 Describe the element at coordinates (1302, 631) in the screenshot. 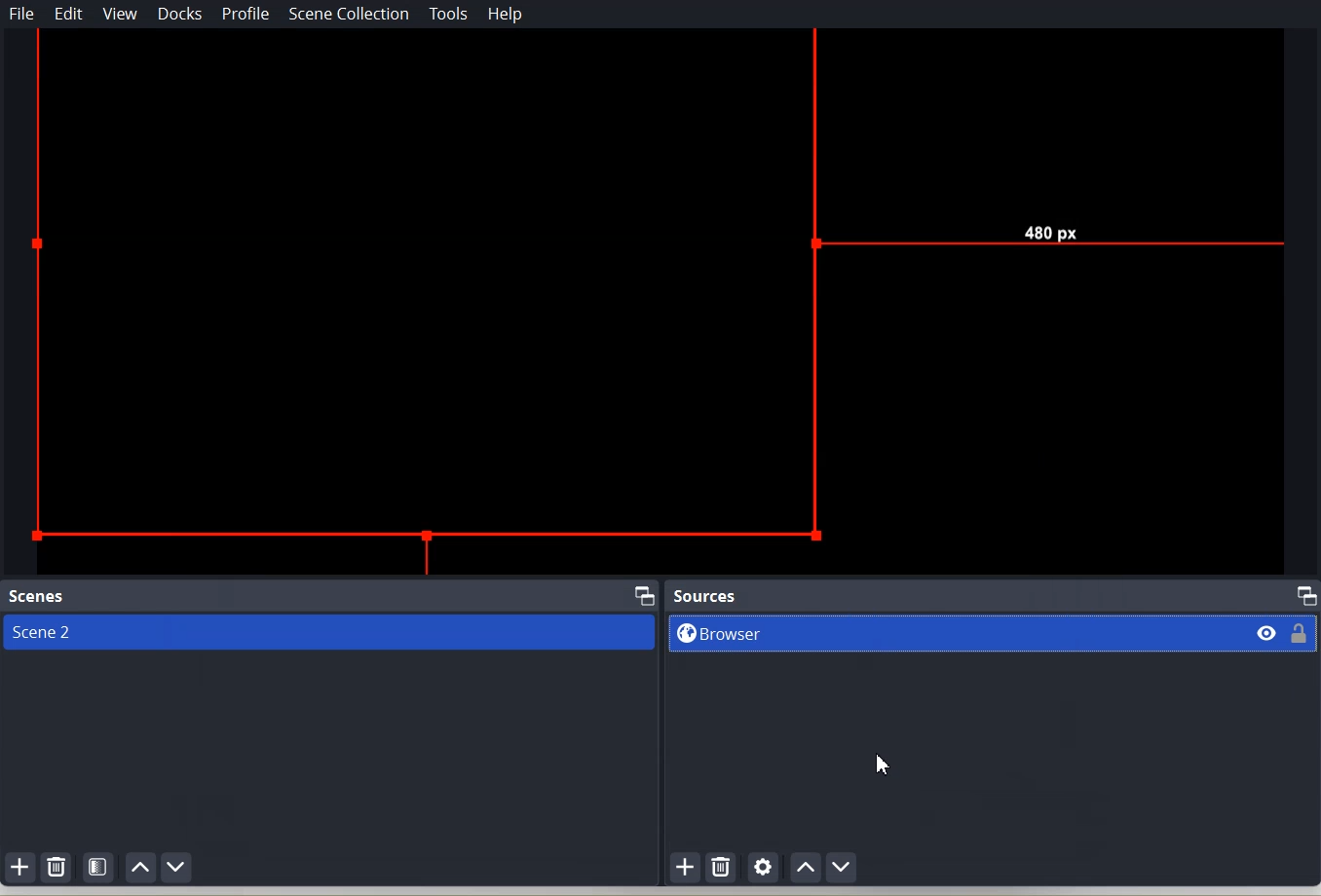

I see `locked or unlocked` at that location.